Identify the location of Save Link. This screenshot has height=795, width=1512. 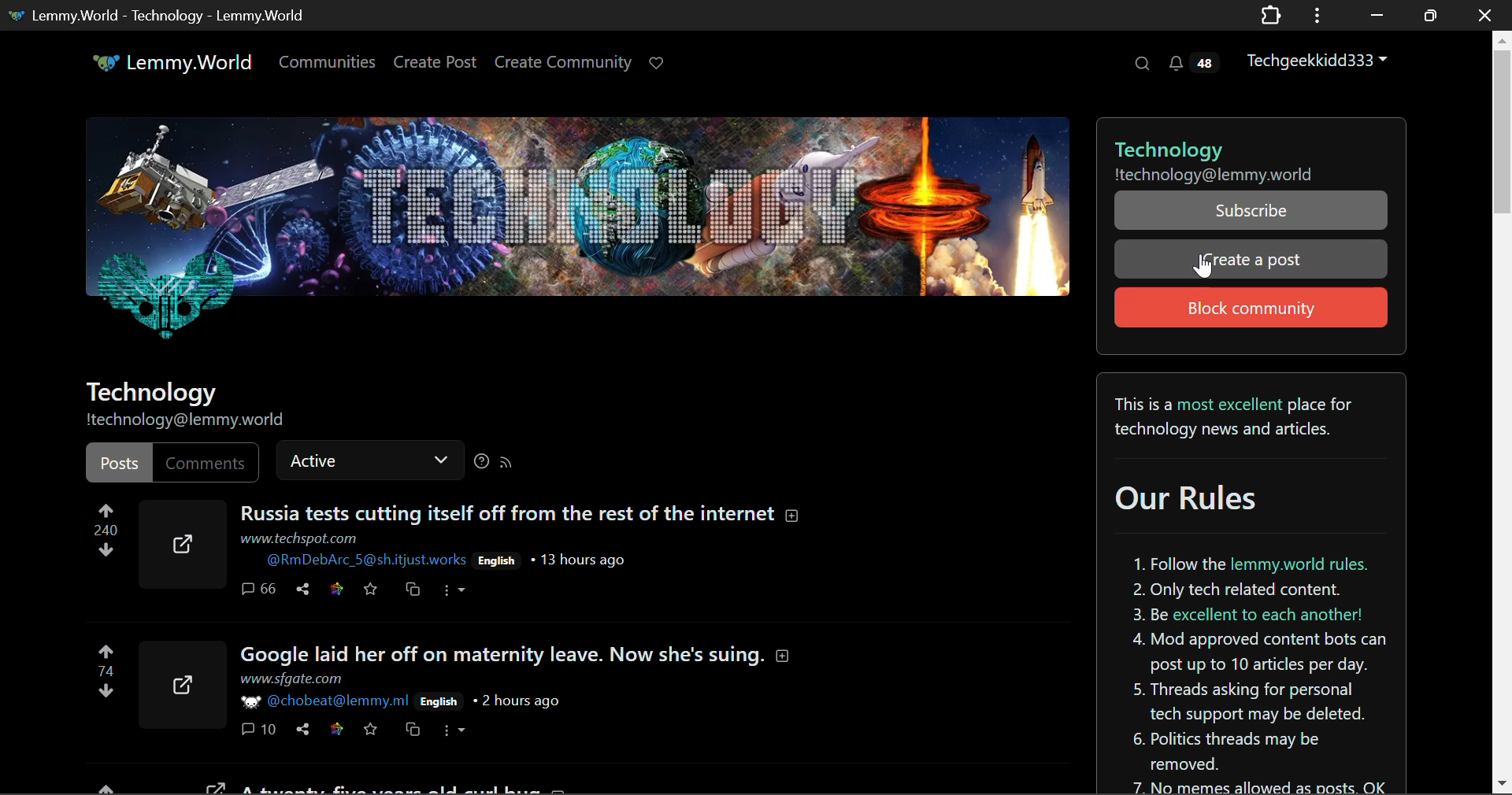
(337, 586).